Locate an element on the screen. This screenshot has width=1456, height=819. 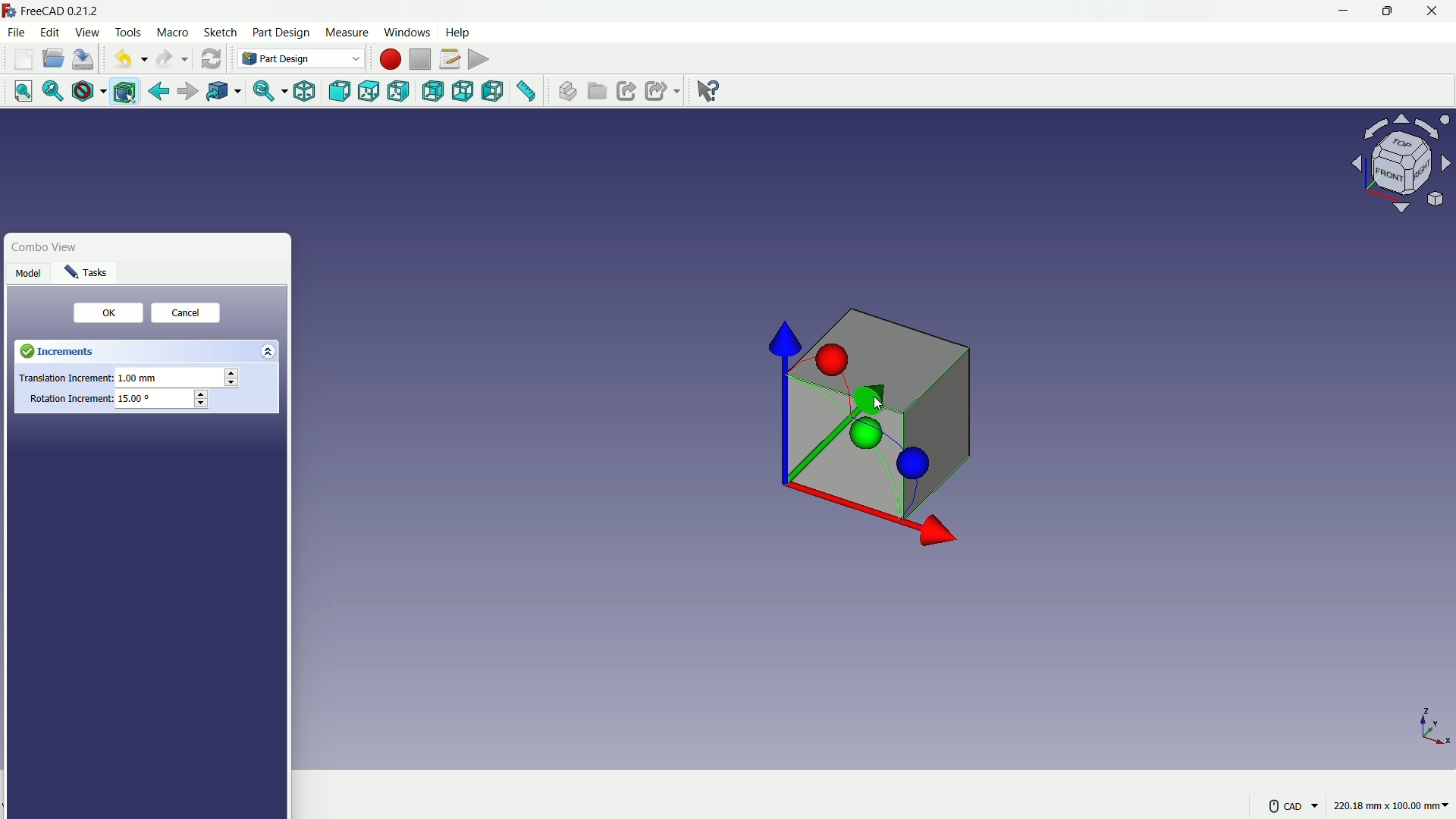
Rotation Increment: is located at coordinates (73, 400).